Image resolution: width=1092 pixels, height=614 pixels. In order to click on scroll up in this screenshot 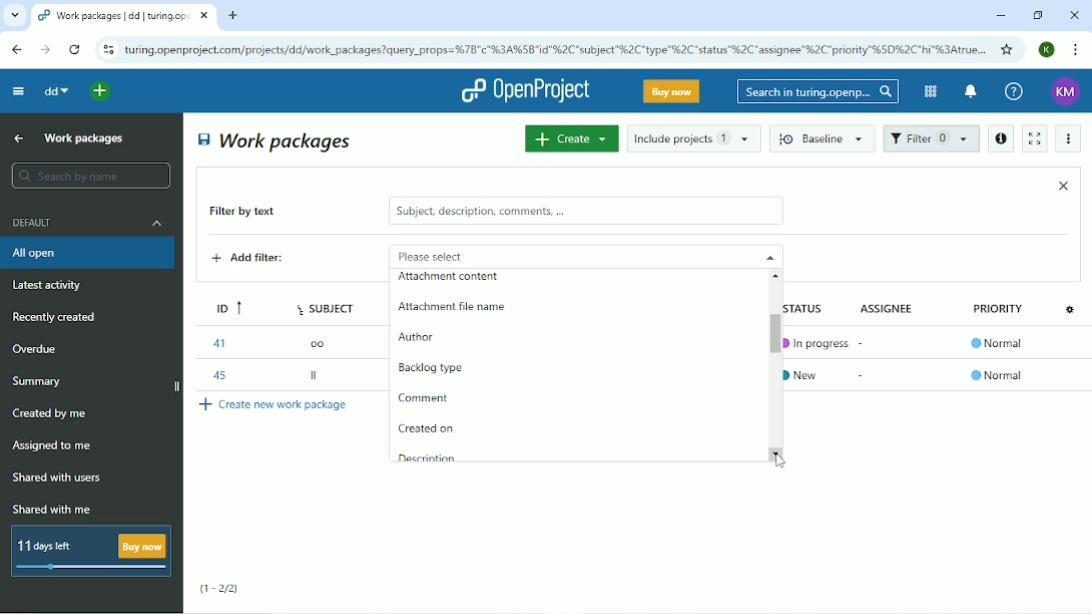, I will do `click(779, 275)`.